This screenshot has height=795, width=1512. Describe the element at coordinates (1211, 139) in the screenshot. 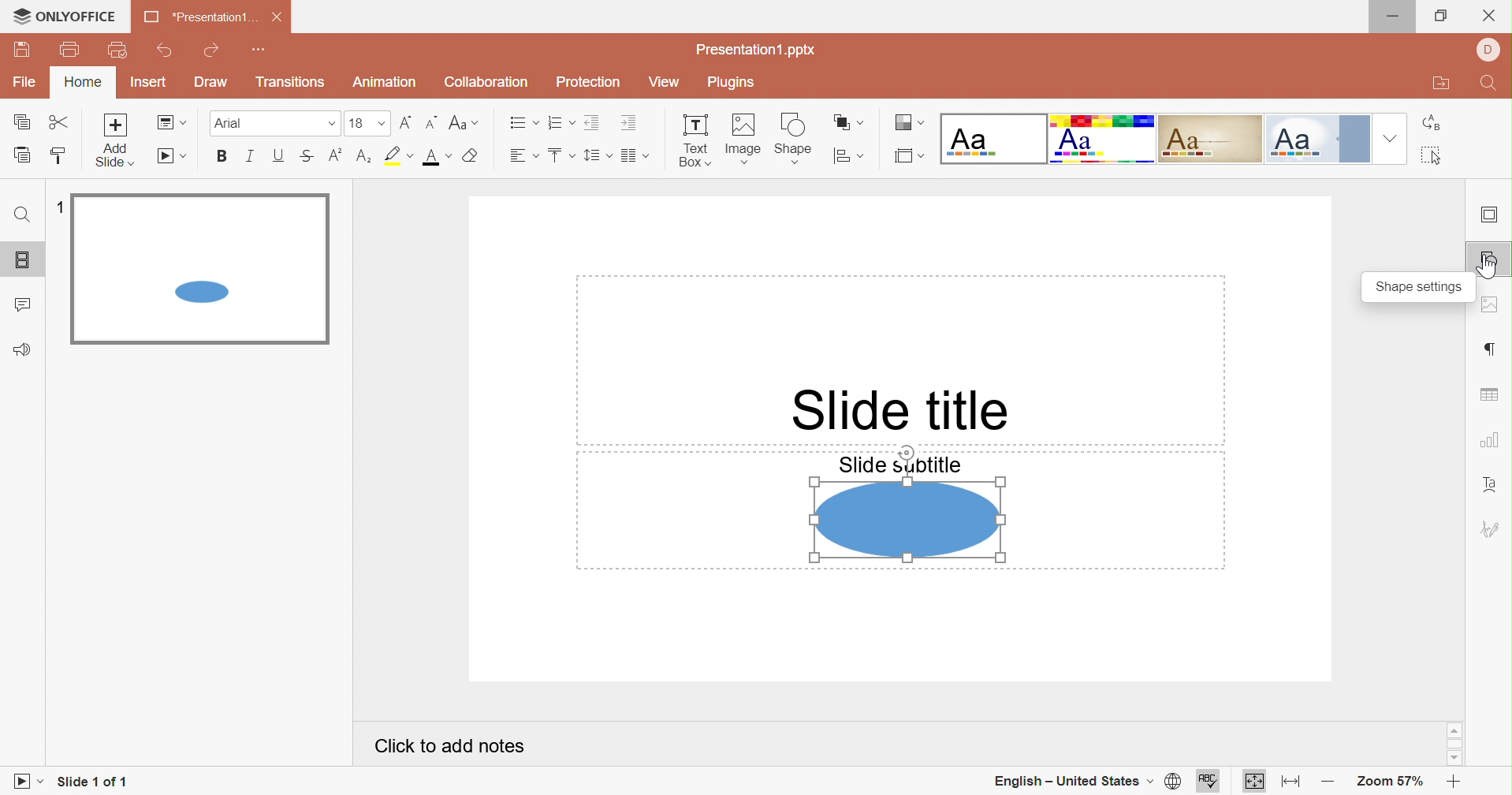

I see `Classic` at that location.